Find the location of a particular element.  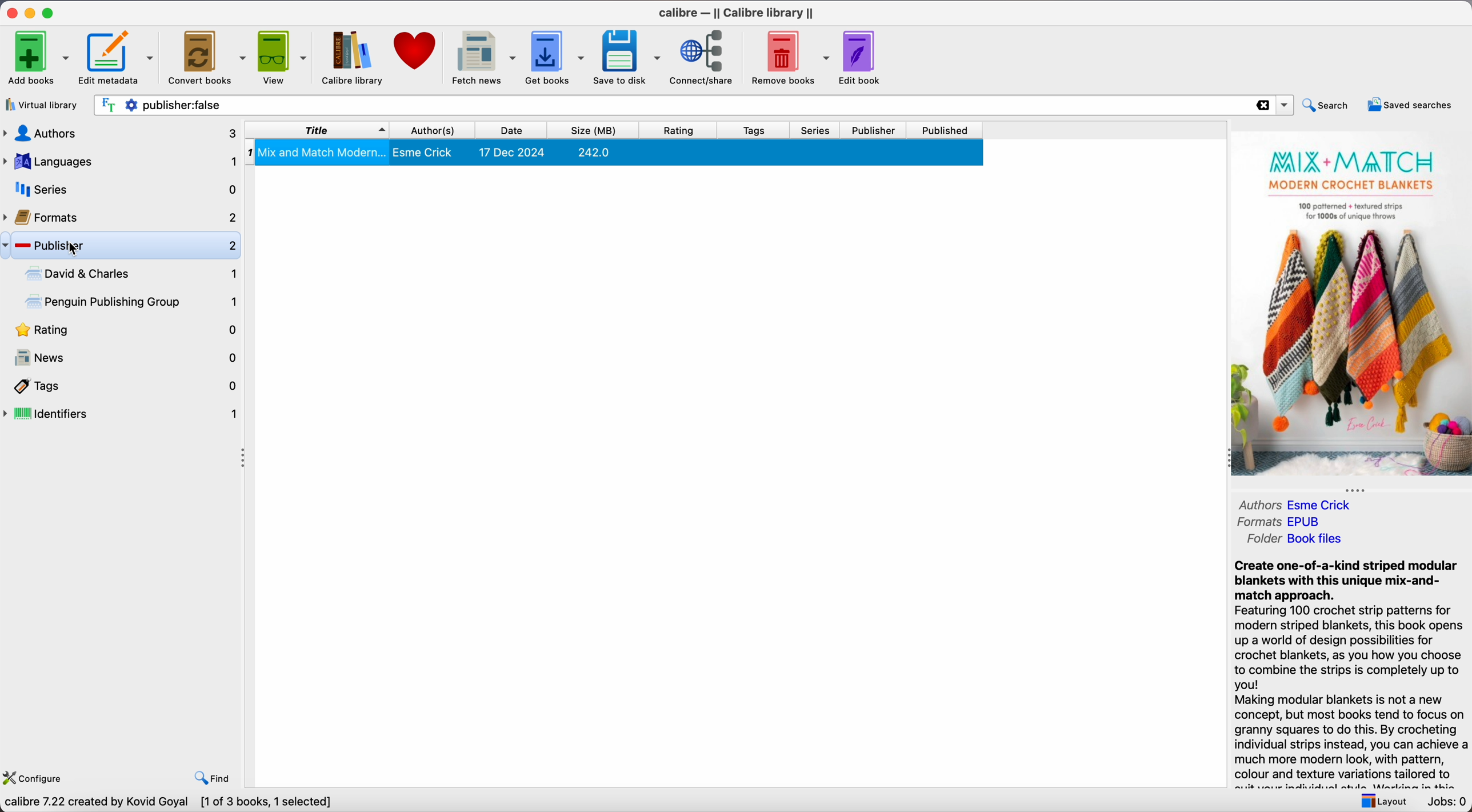

tags is located at coordinates (122, 386).